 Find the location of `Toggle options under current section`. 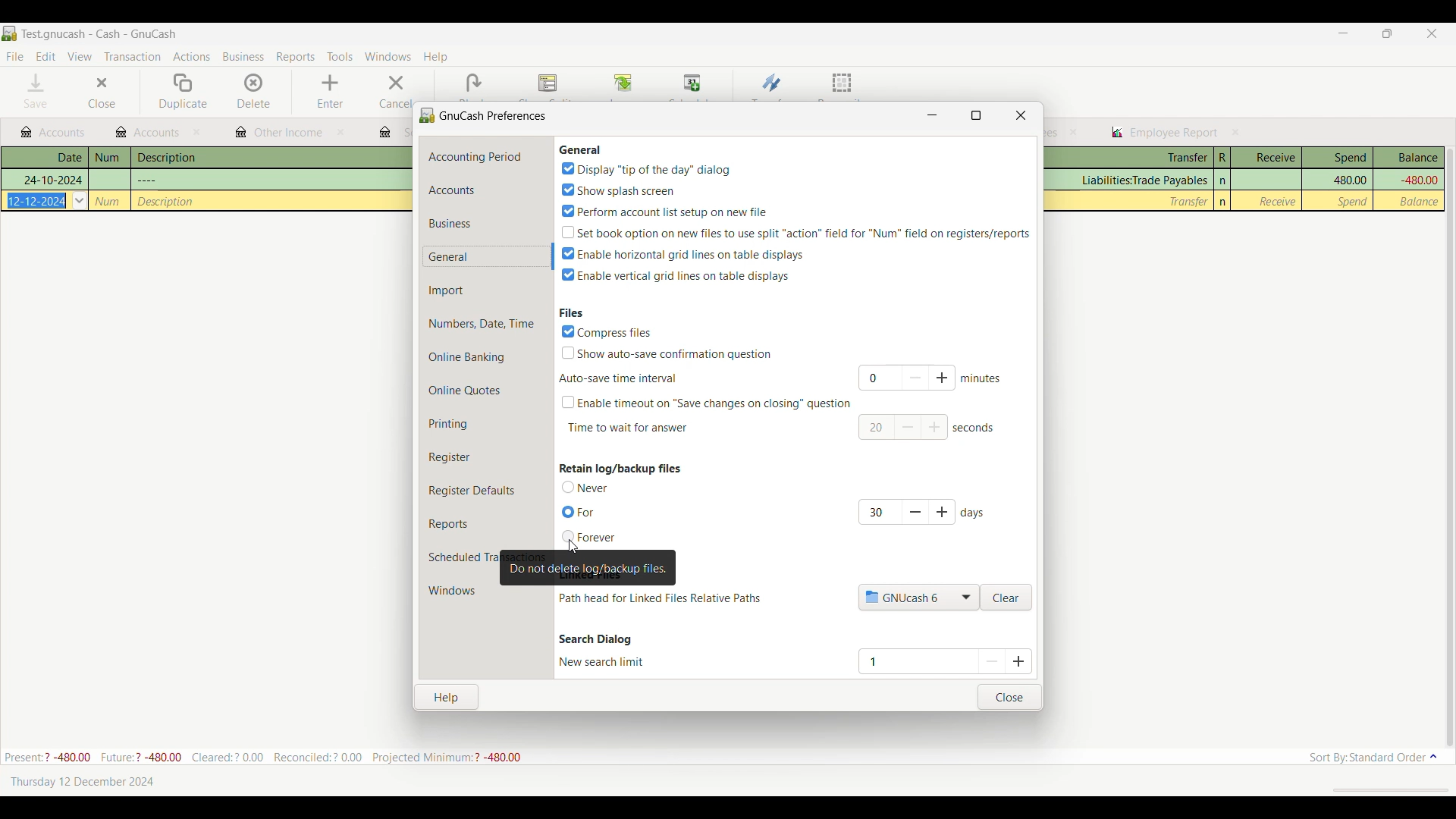

Toggle options under current section is located at coordinates (591, 487).